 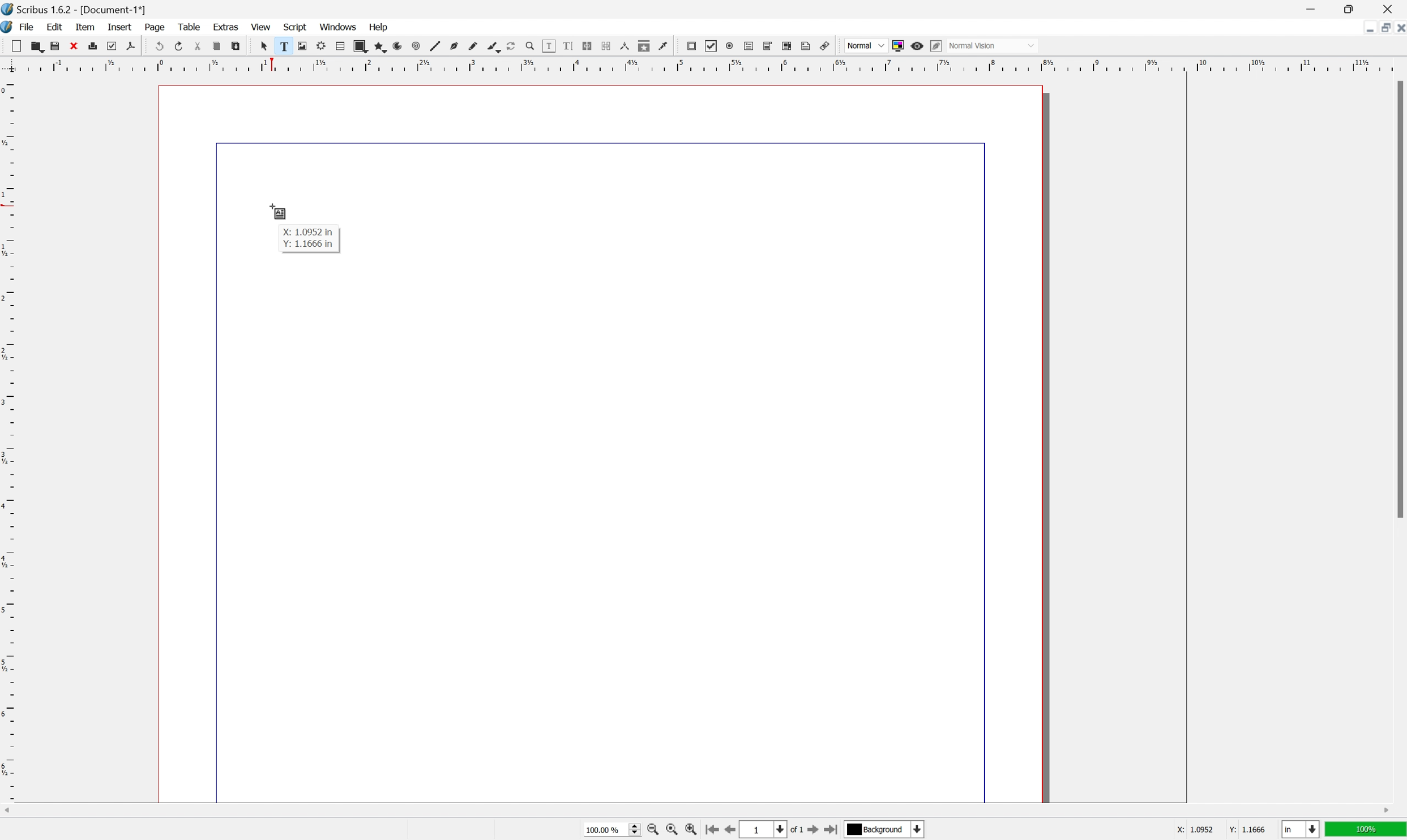 I want to click on link annotation, so click(x=826, y=46).